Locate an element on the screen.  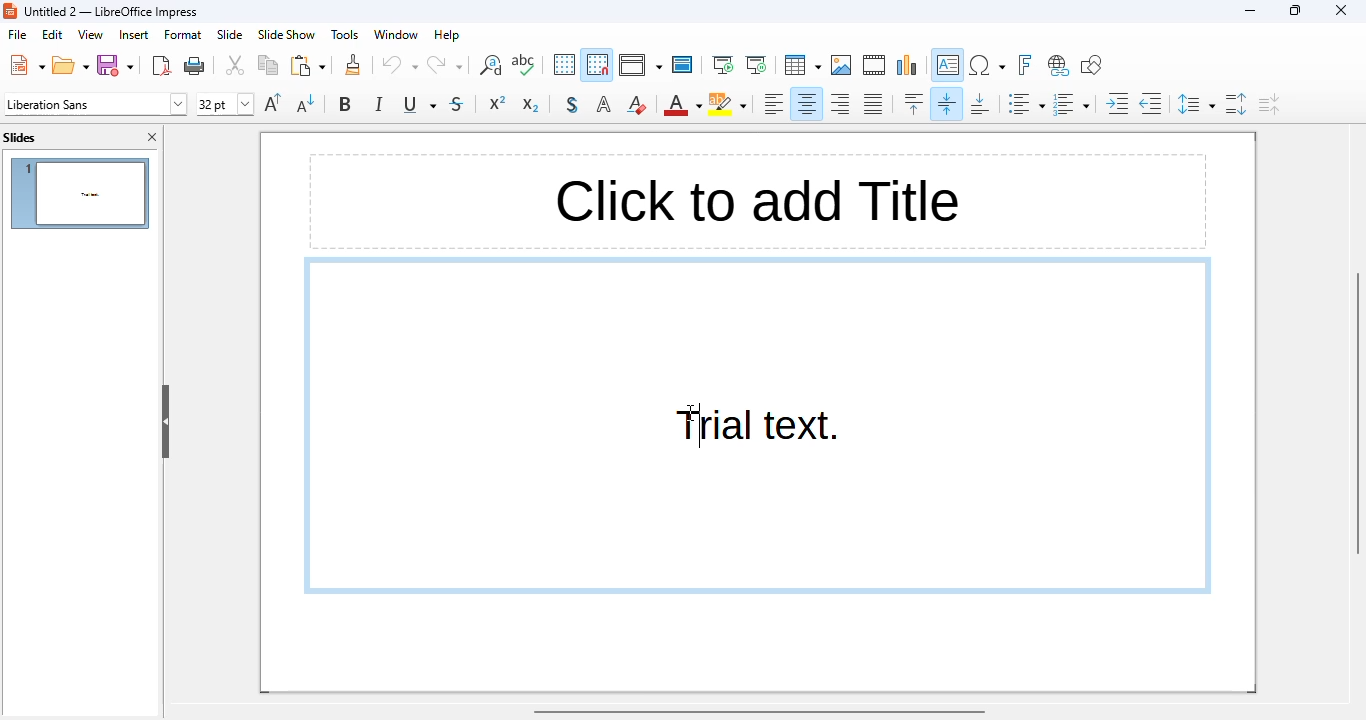
insert image is located at coordinates (842, 65).